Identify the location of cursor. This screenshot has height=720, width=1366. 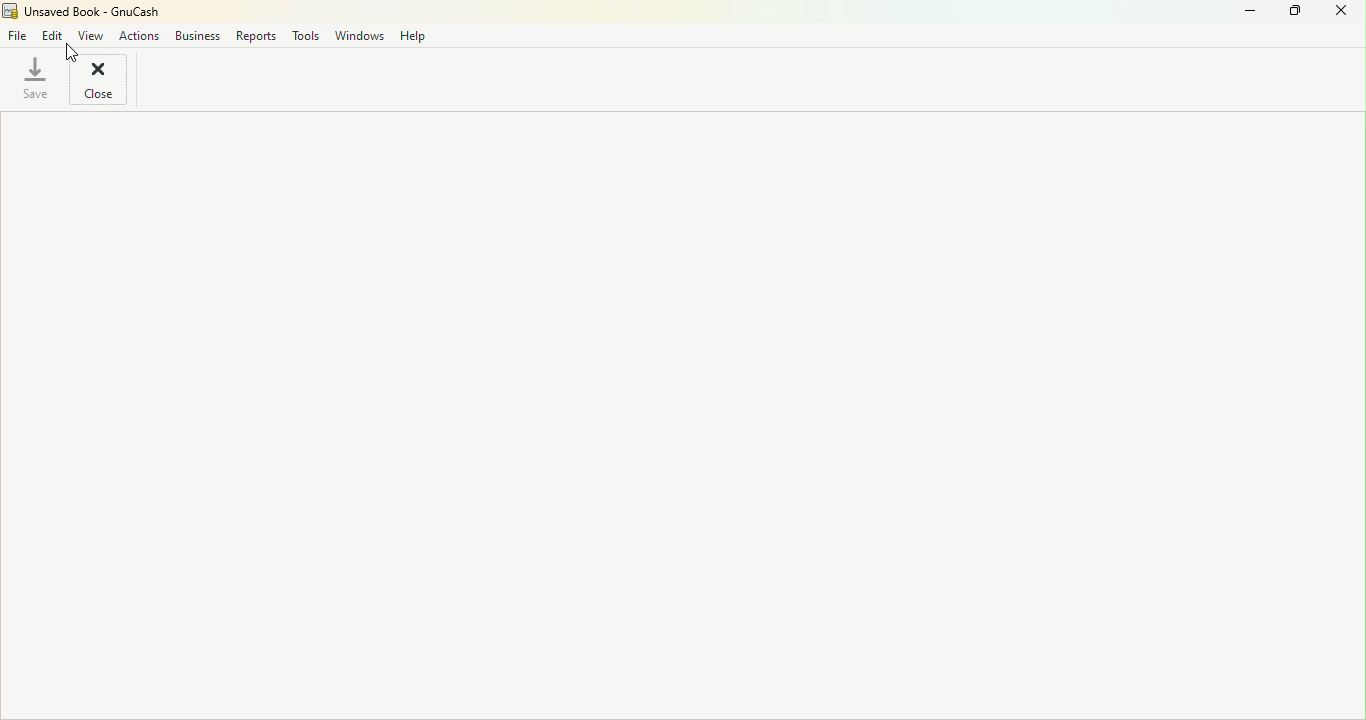
(70, 53).